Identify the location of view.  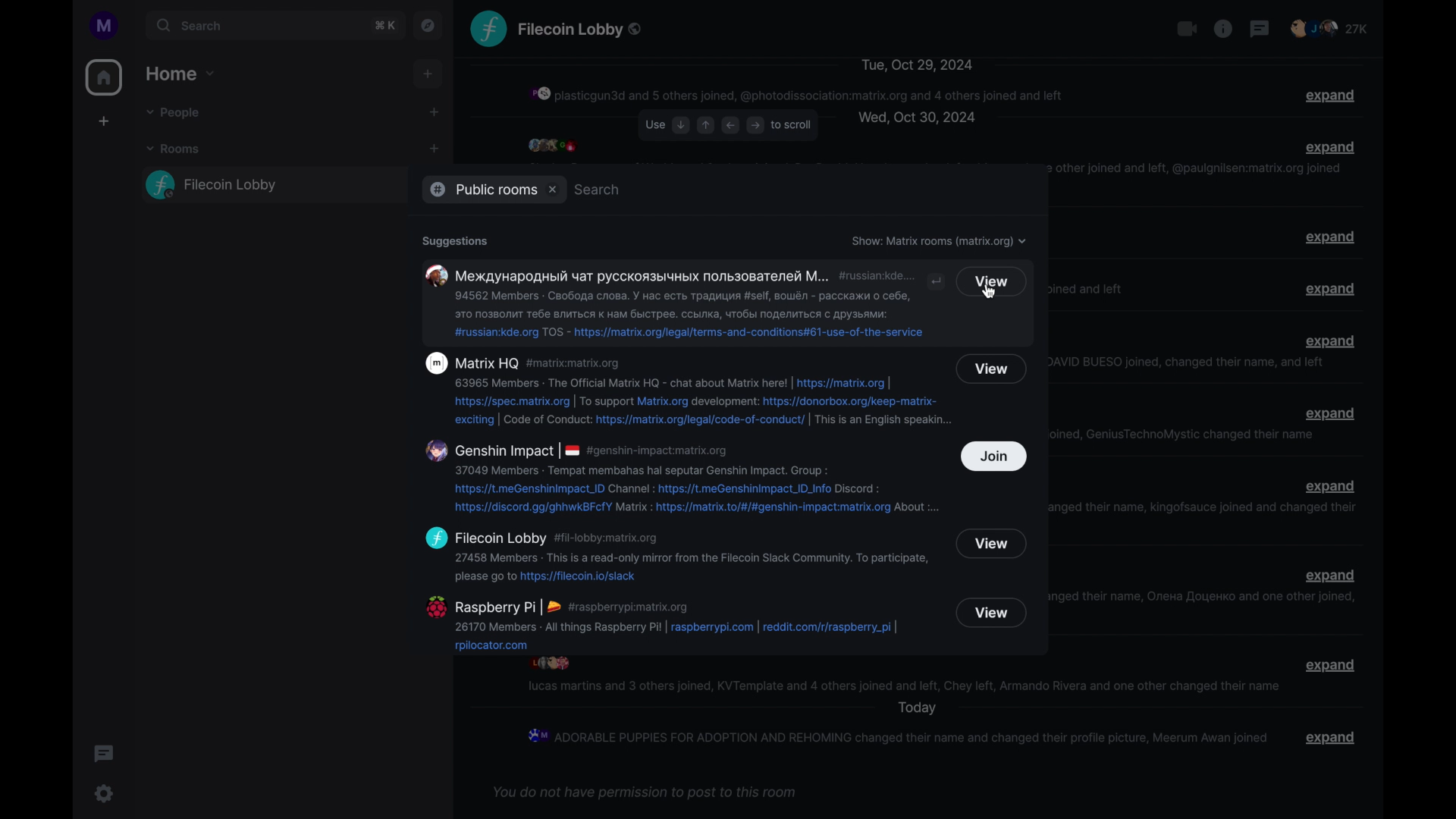
(992, 281).